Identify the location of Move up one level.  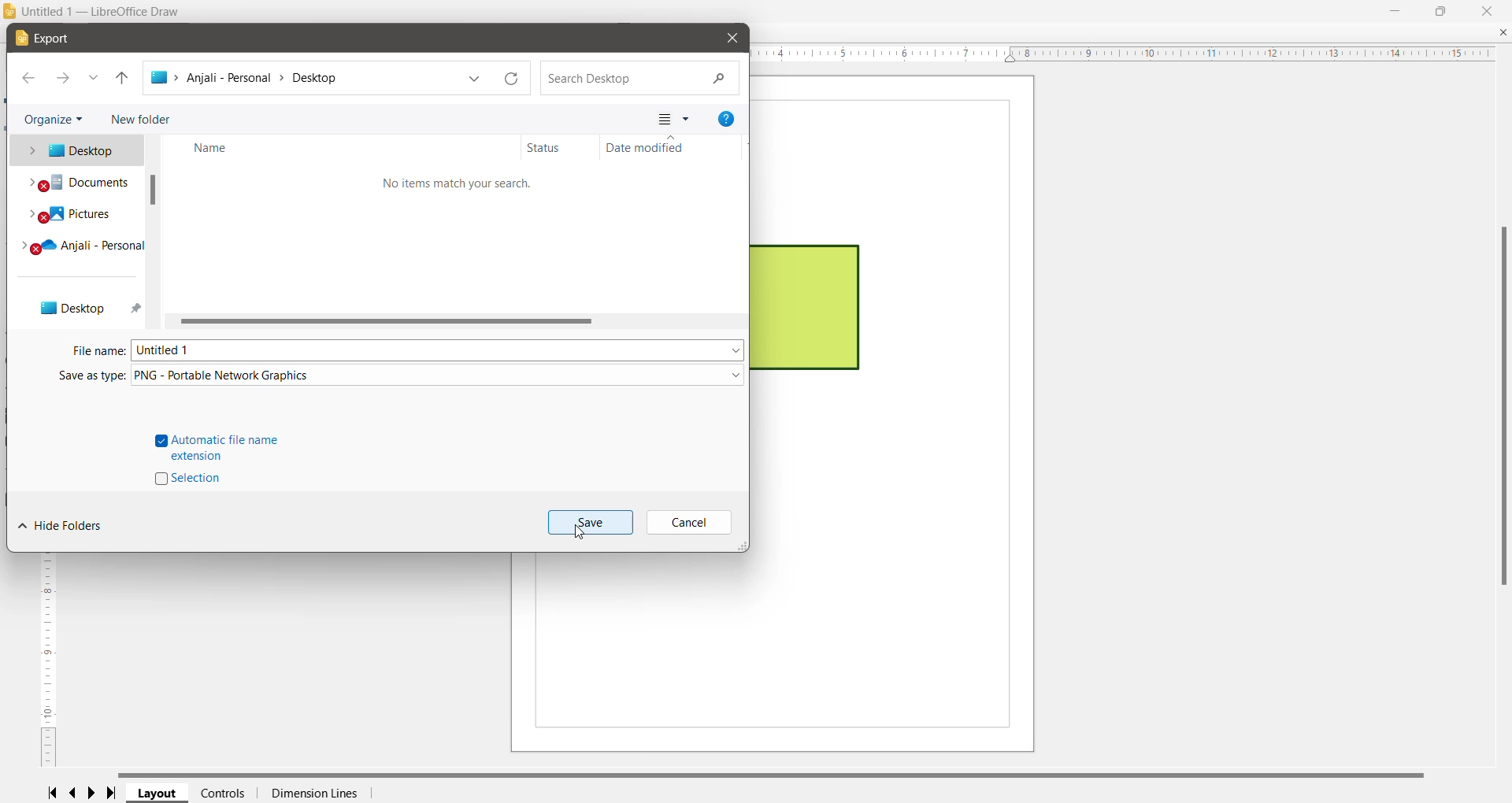
(122, 80).